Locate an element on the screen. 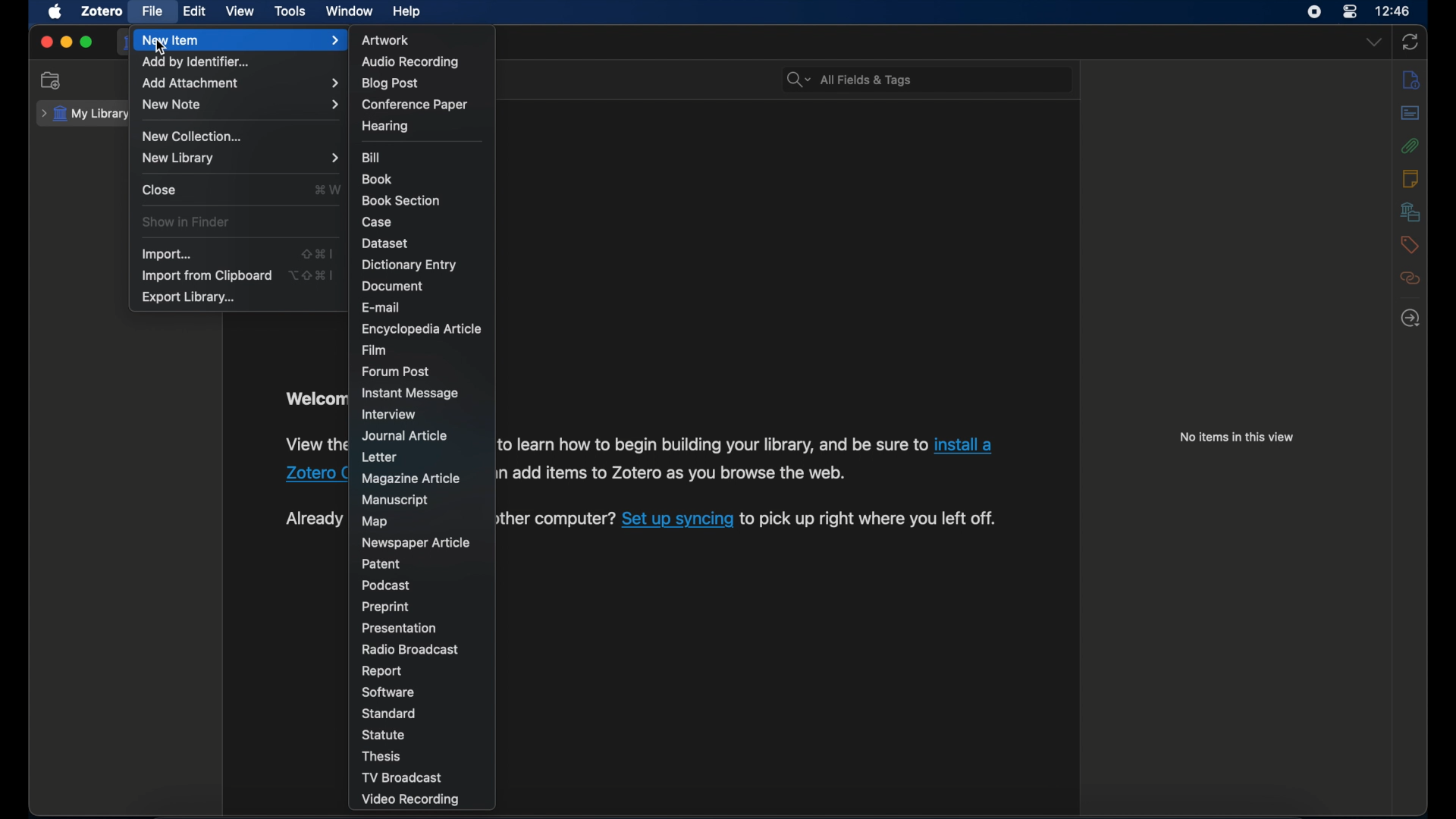 This screenshot has width=1456, height=819. new collection is located at coordinates (191, 136).